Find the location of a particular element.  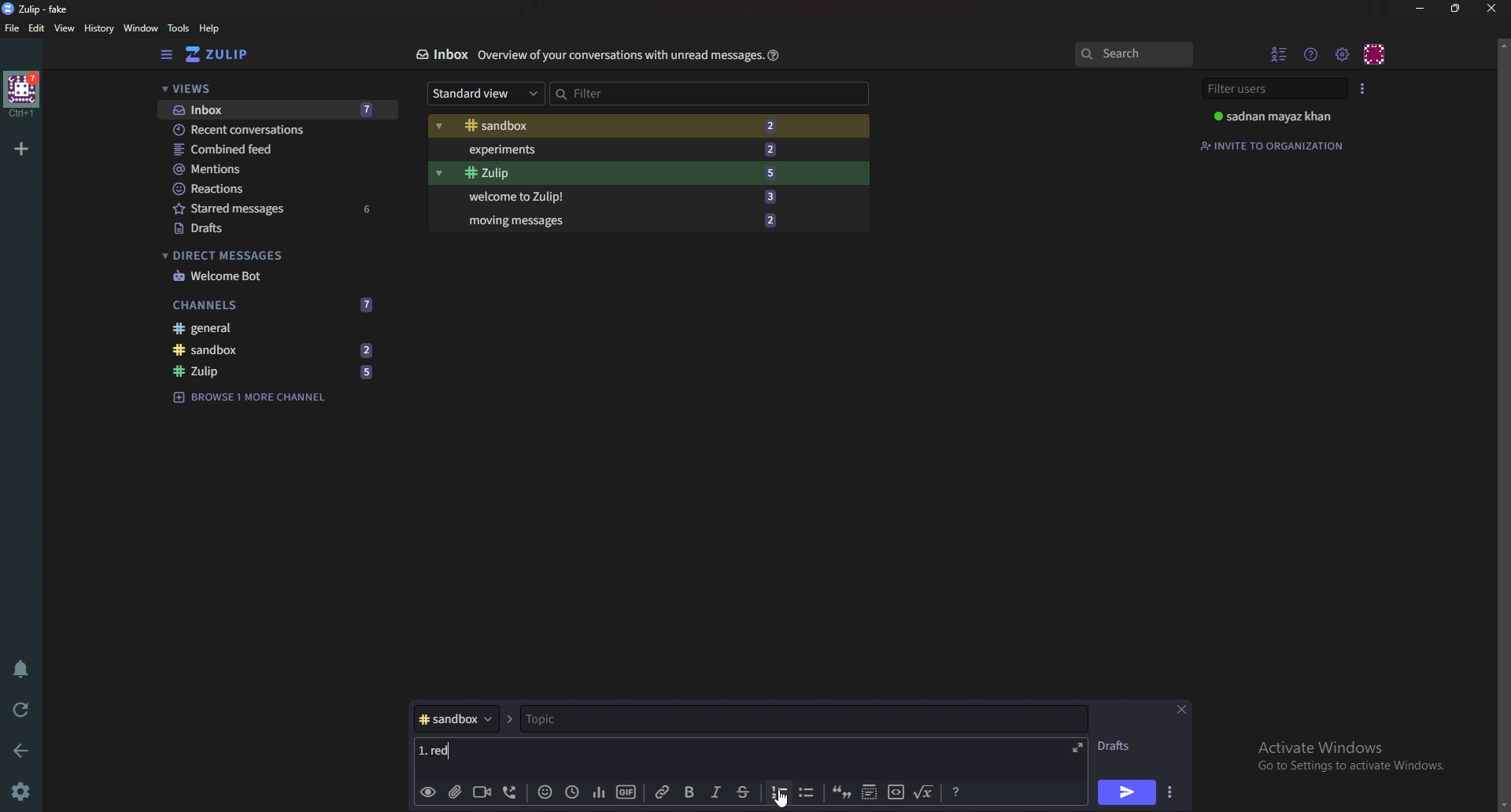

Combine feed is located at coordinates (279, 149).